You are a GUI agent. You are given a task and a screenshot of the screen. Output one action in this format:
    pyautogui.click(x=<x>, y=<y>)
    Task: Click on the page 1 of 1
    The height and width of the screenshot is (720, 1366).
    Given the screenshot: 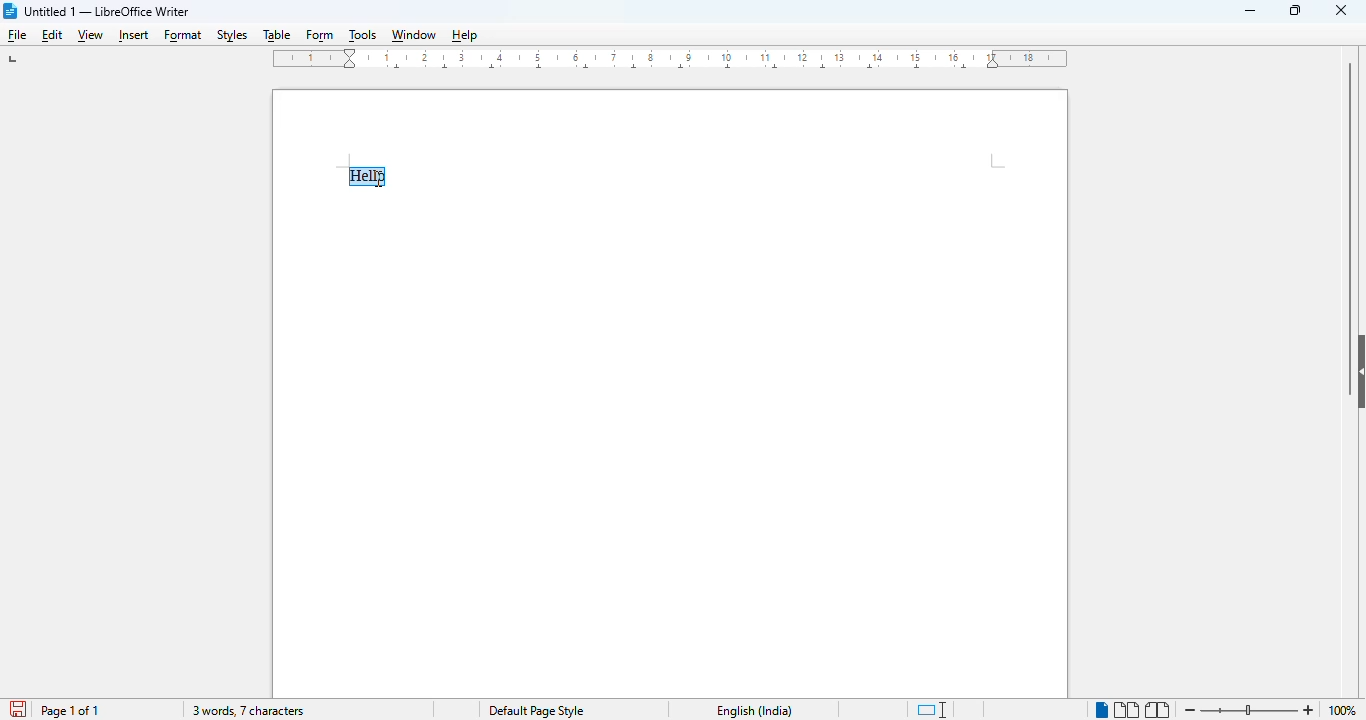 What is the action you would take?
    pyautogui.click(x=69, y=711)
    